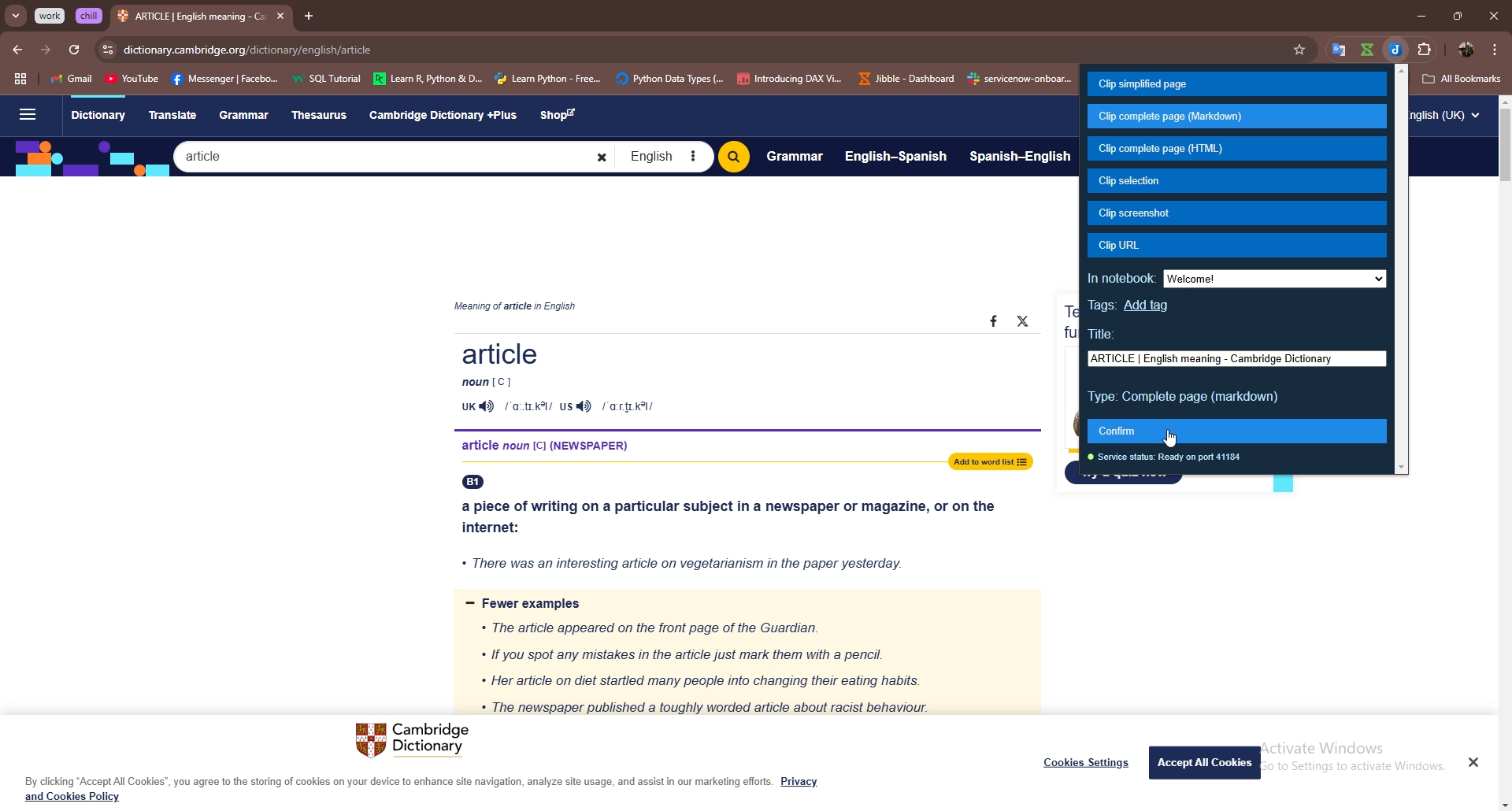  What do you see at coordinates (664, 157) in the screenshot?
I see `English  ` at bounding box center [664, 157].